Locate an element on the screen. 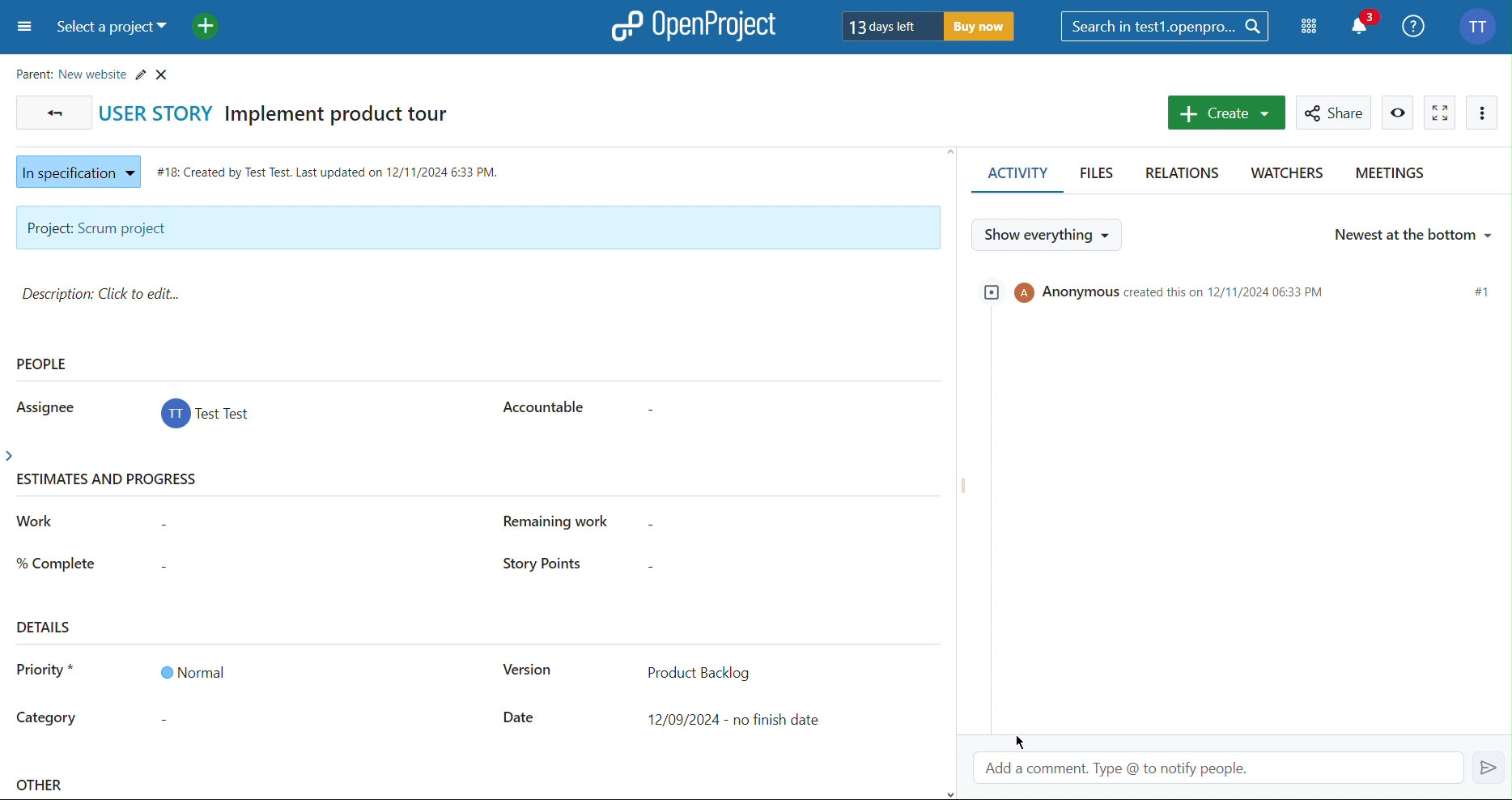 The height and width of the screenshot is (800, 1512). People is located at coordinates (44, 364).